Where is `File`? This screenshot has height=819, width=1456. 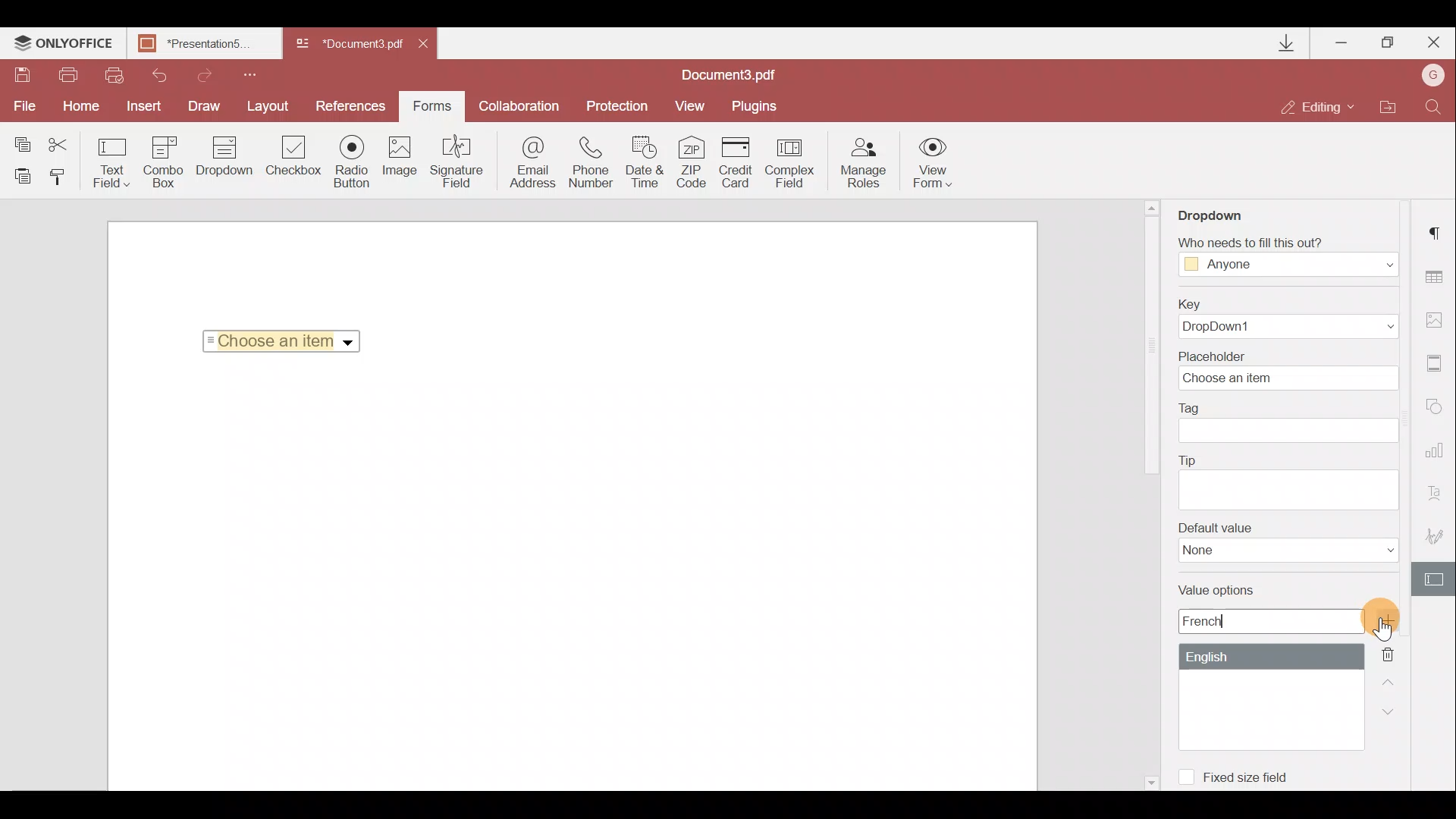
File is located at coordinates (23, 106).